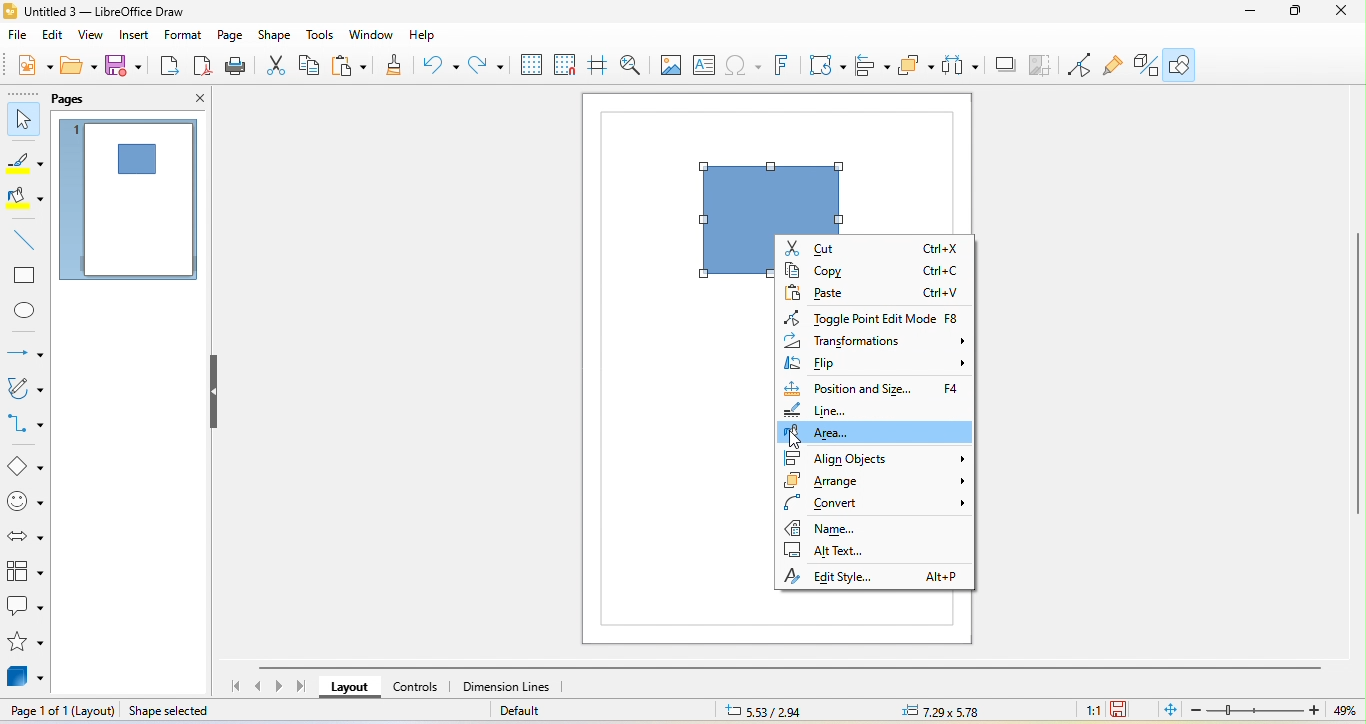 This screenshot has width=1366, height=724. What do you see at coordinates (125, 68) in the screenshot?
I see `save` at bounding box center [125, 68].